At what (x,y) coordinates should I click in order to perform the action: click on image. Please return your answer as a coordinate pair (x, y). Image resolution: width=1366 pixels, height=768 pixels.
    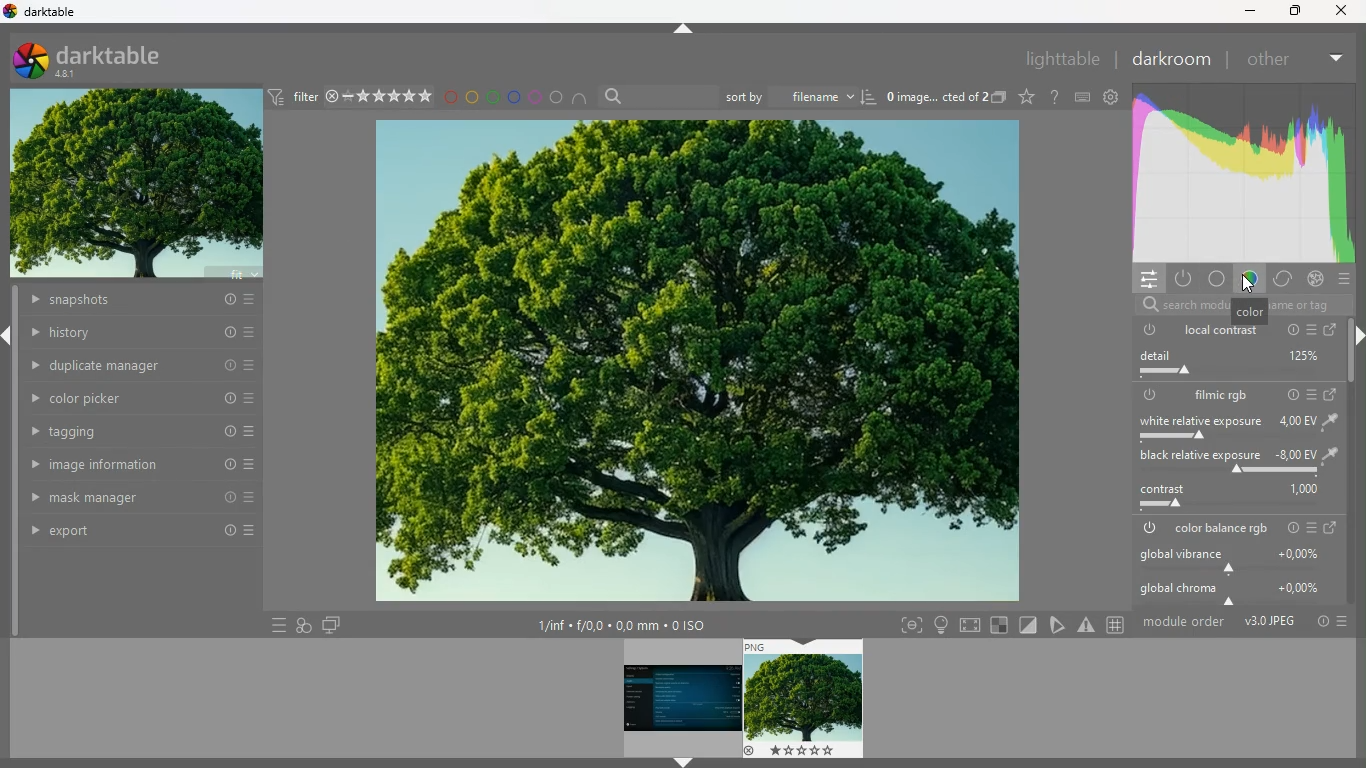
    Looking at the image, I should click on (692, 362).